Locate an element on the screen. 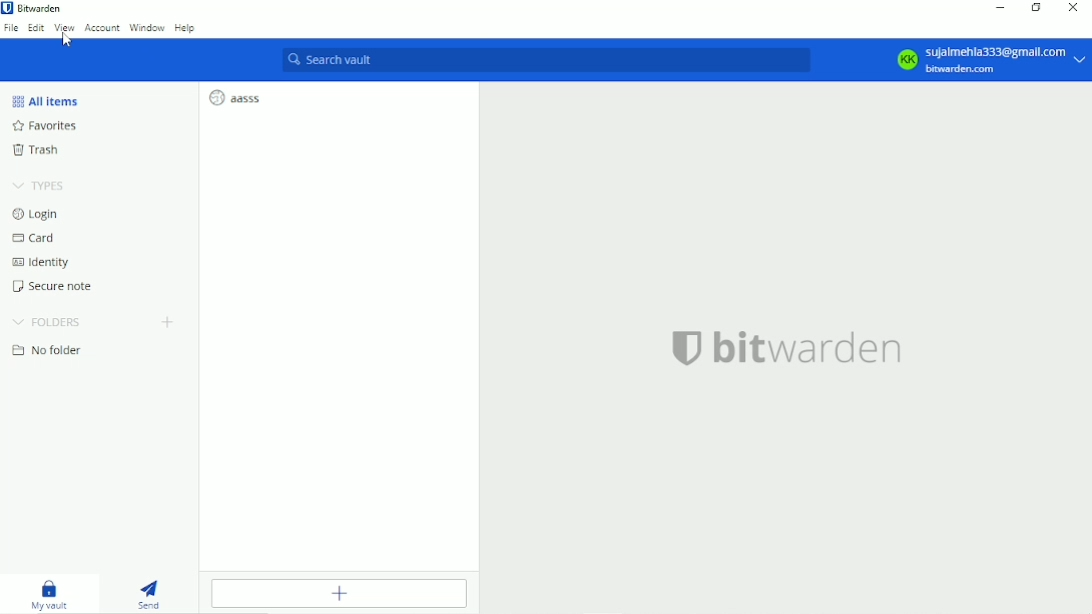 Image resolution: width=1092 pixels, height=614 pixels. Account option is located at coordinates (988, 60).